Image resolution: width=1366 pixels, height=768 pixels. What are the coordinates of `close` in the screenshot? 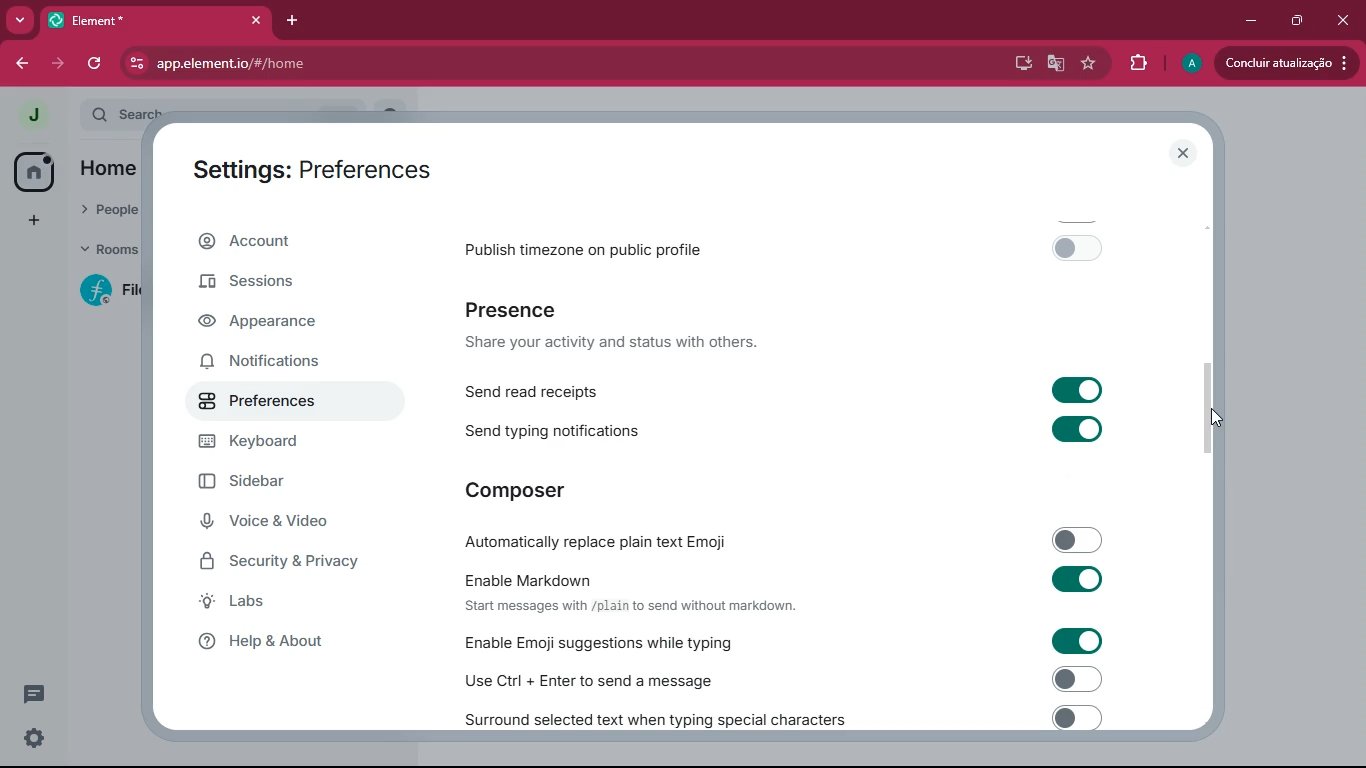 It's located at (1180, 153).